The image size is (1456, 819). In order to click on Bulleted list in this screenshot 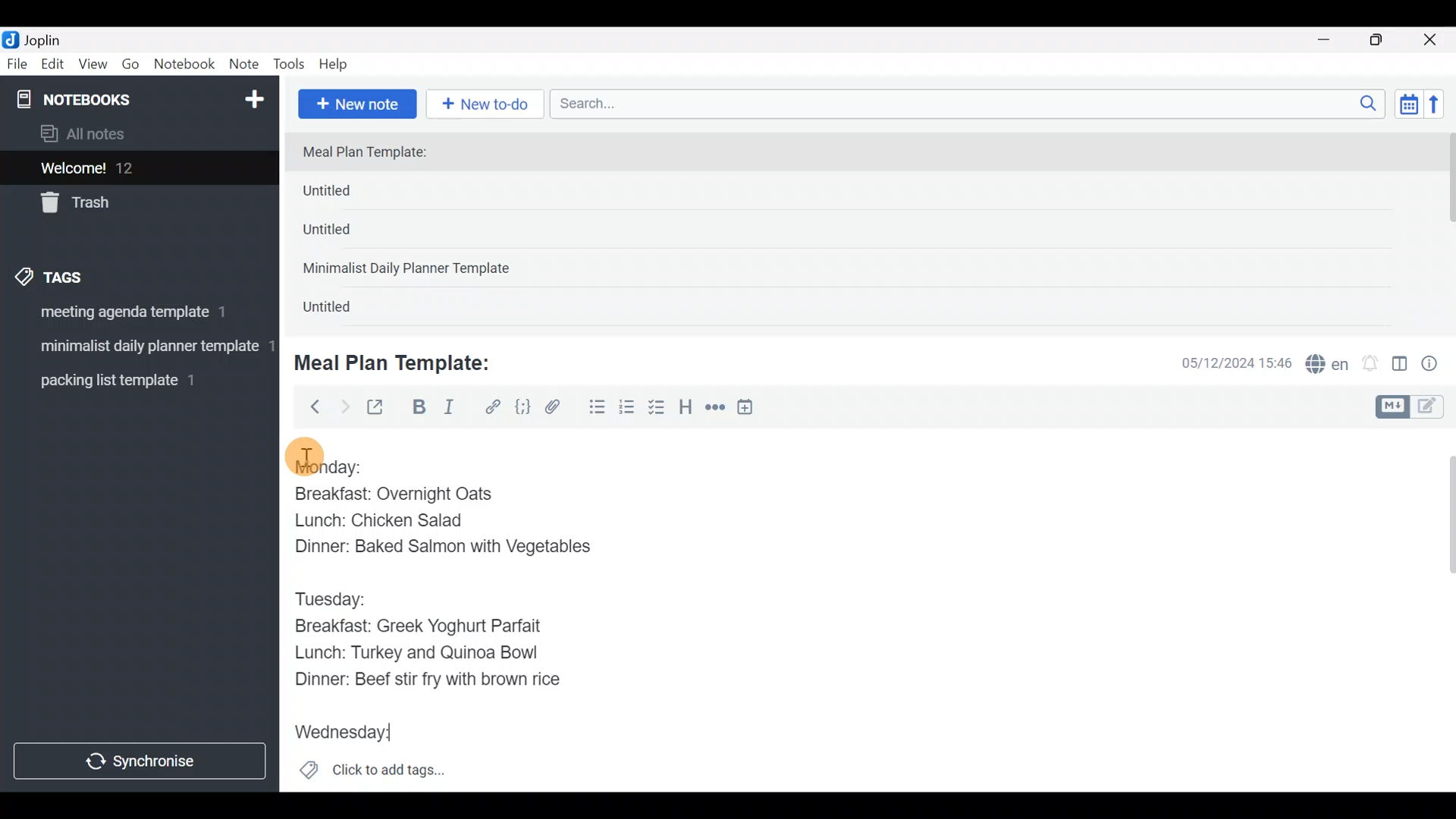, I will do `click(594, 408)`.